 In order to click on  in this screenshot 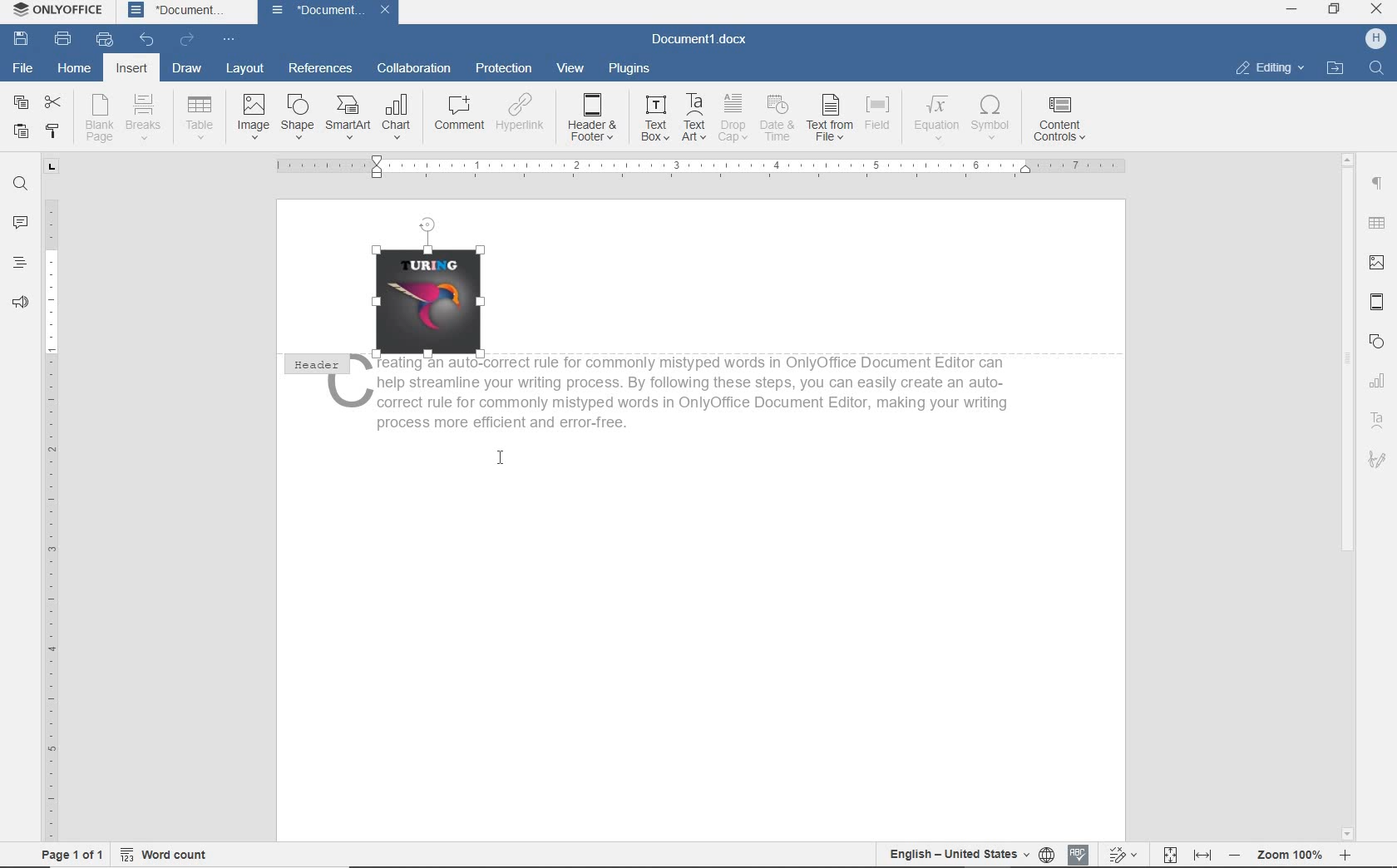, I will do `click(99, 116)`.